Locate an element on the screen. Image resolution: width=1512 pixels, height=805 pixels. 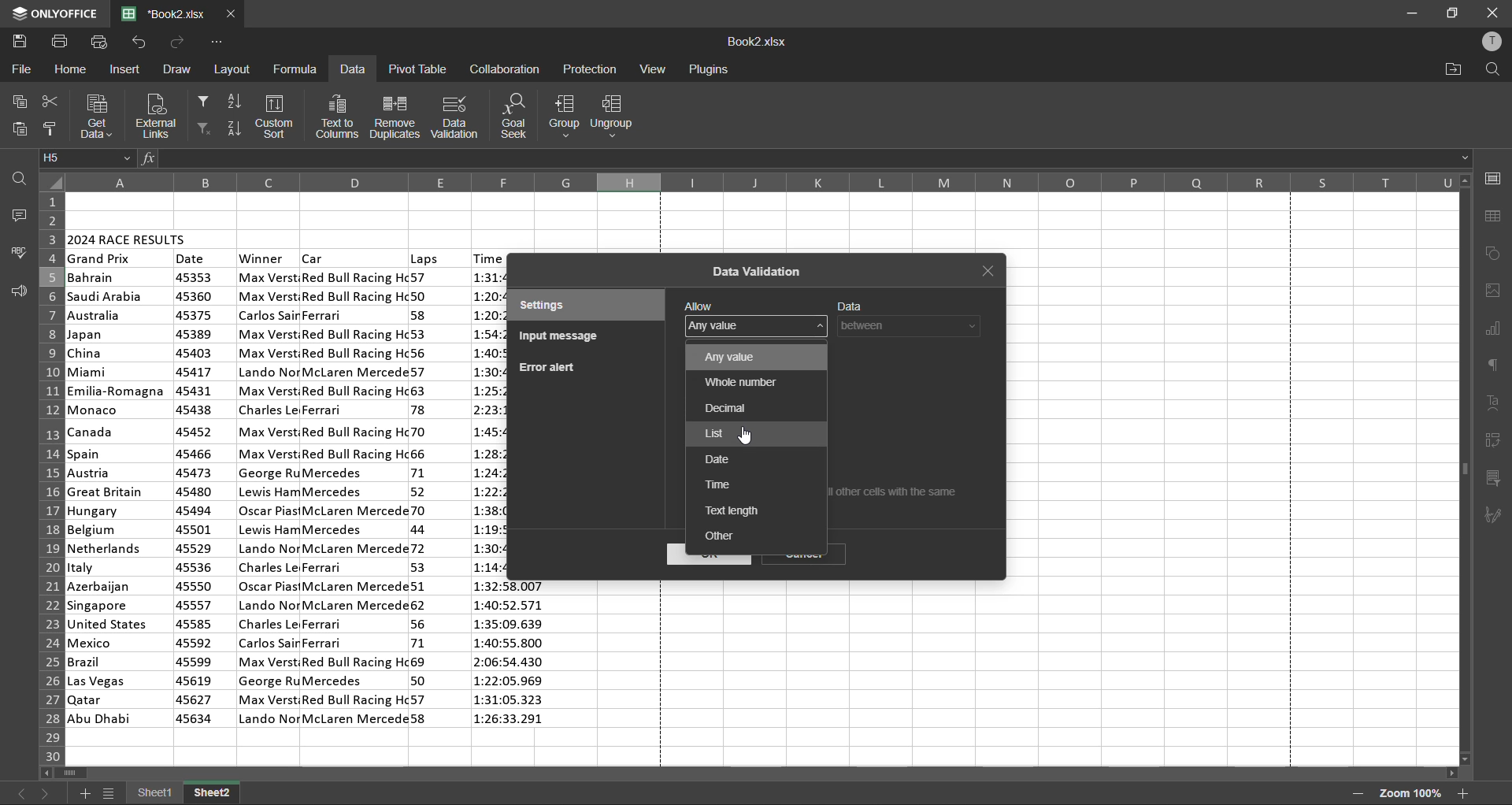
add sheet is located at coordinates (84, 793).